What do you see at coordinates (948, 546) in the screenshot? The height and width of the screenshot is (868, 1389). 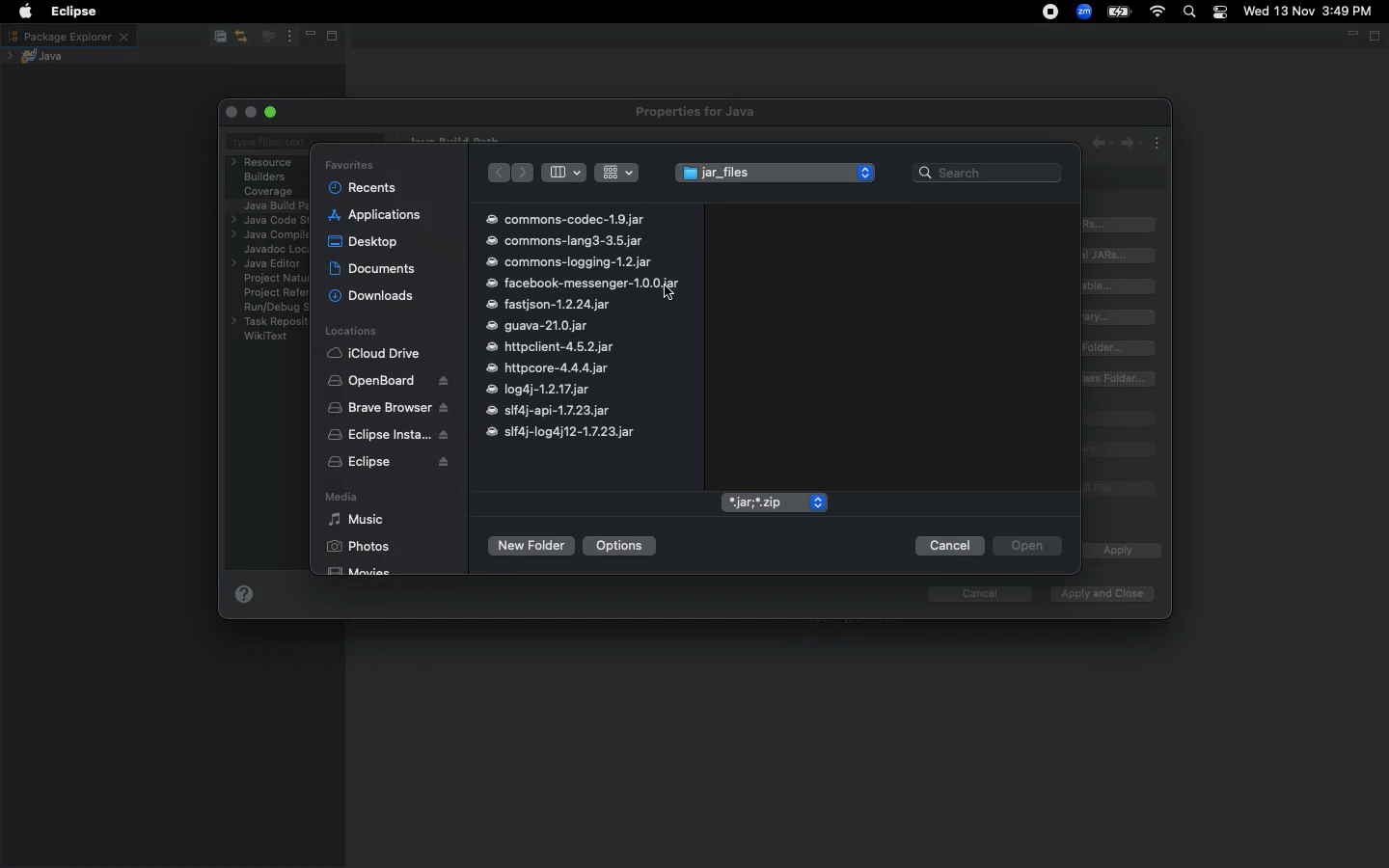 I see `Cancel` at bounding box center [948, 546].